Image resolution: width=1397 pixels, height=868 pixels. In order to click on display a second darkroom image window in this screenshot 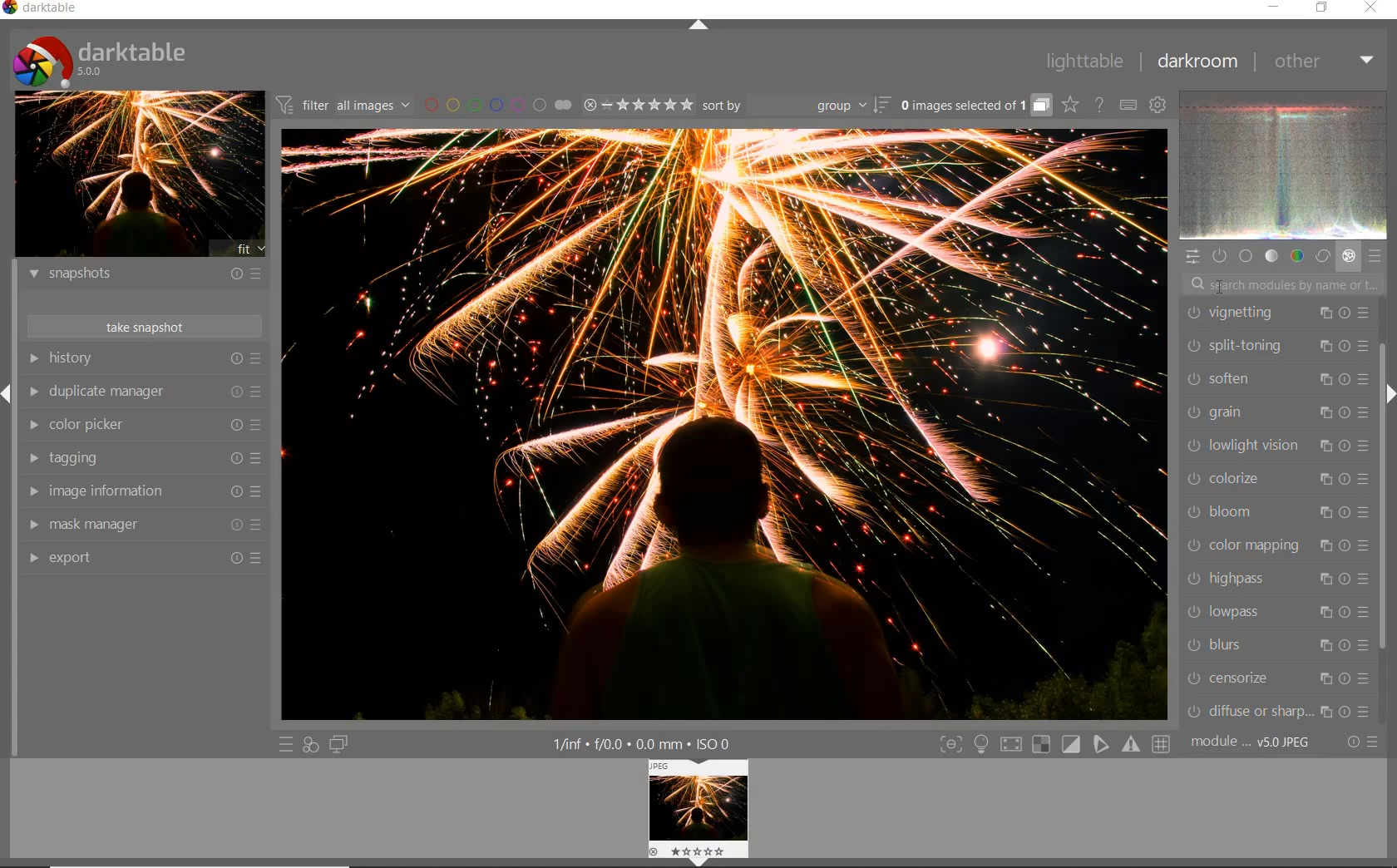, I will do `click(341, 745)`.